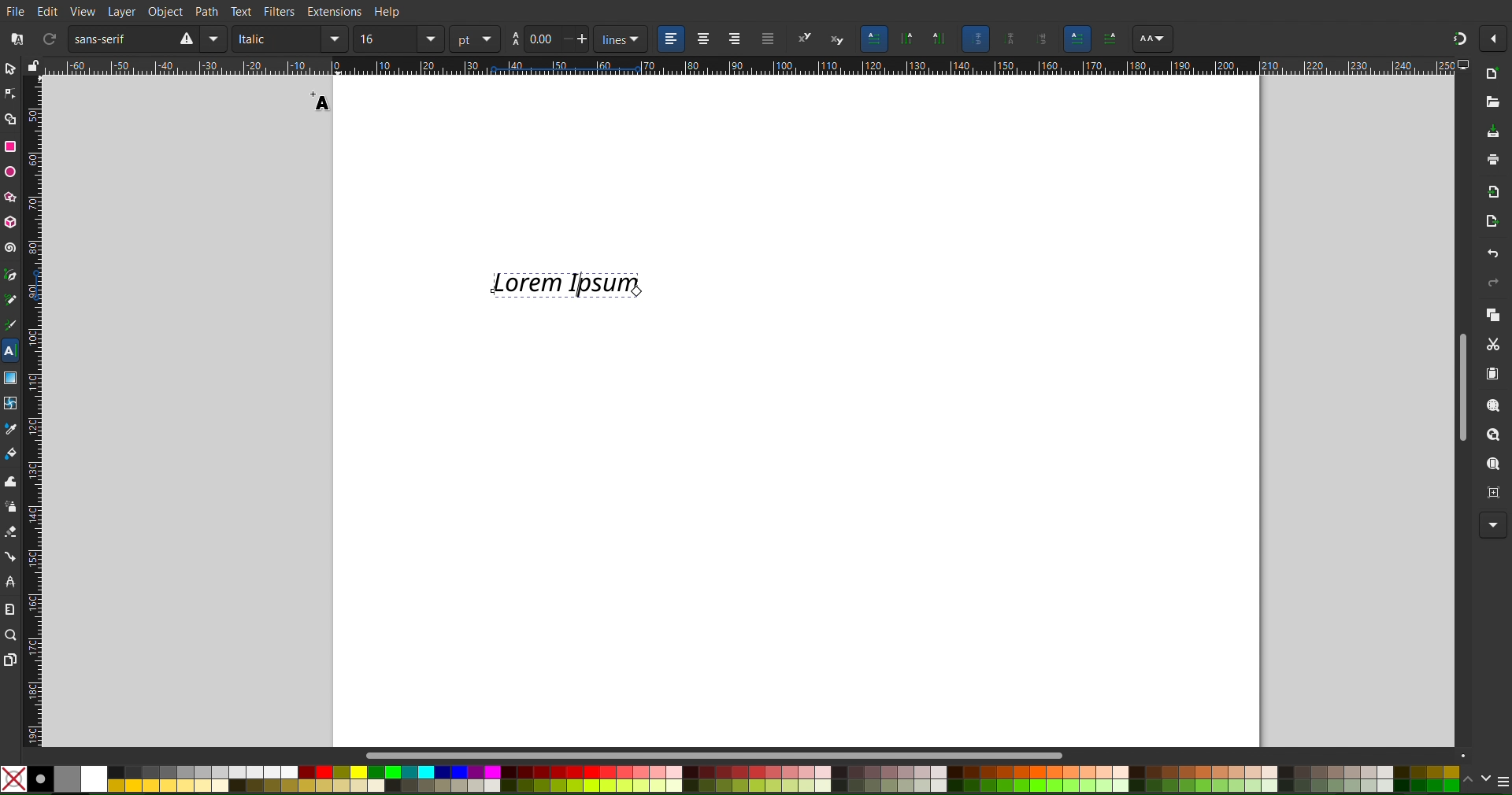  What do you see at coordinates (1077, 39) in the screenshot?
I see `Left to Right` at bounding box center [1077, 39].